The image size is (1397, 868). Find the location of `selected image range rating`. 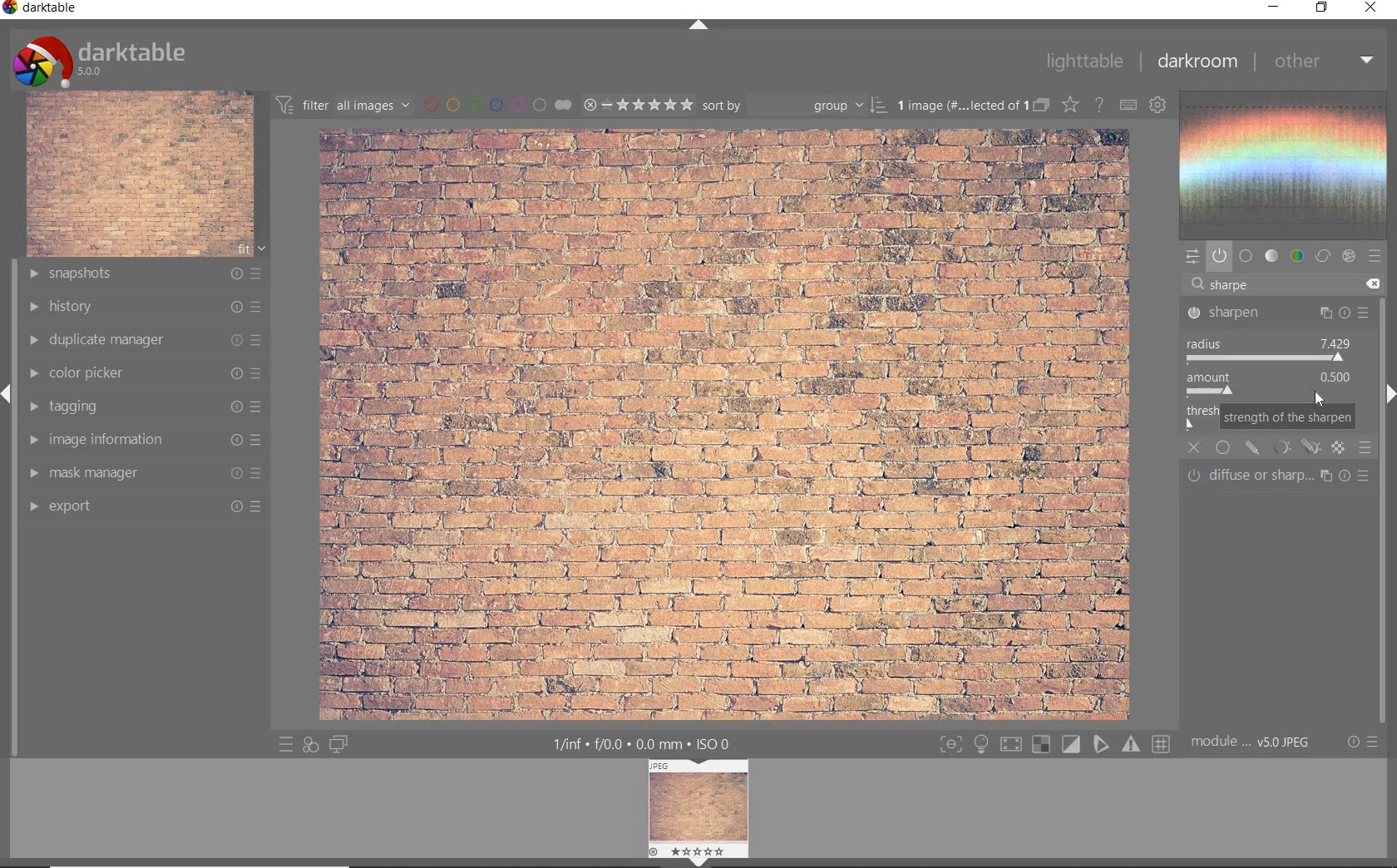

selected image range rating is located at coordinates (638, 105).